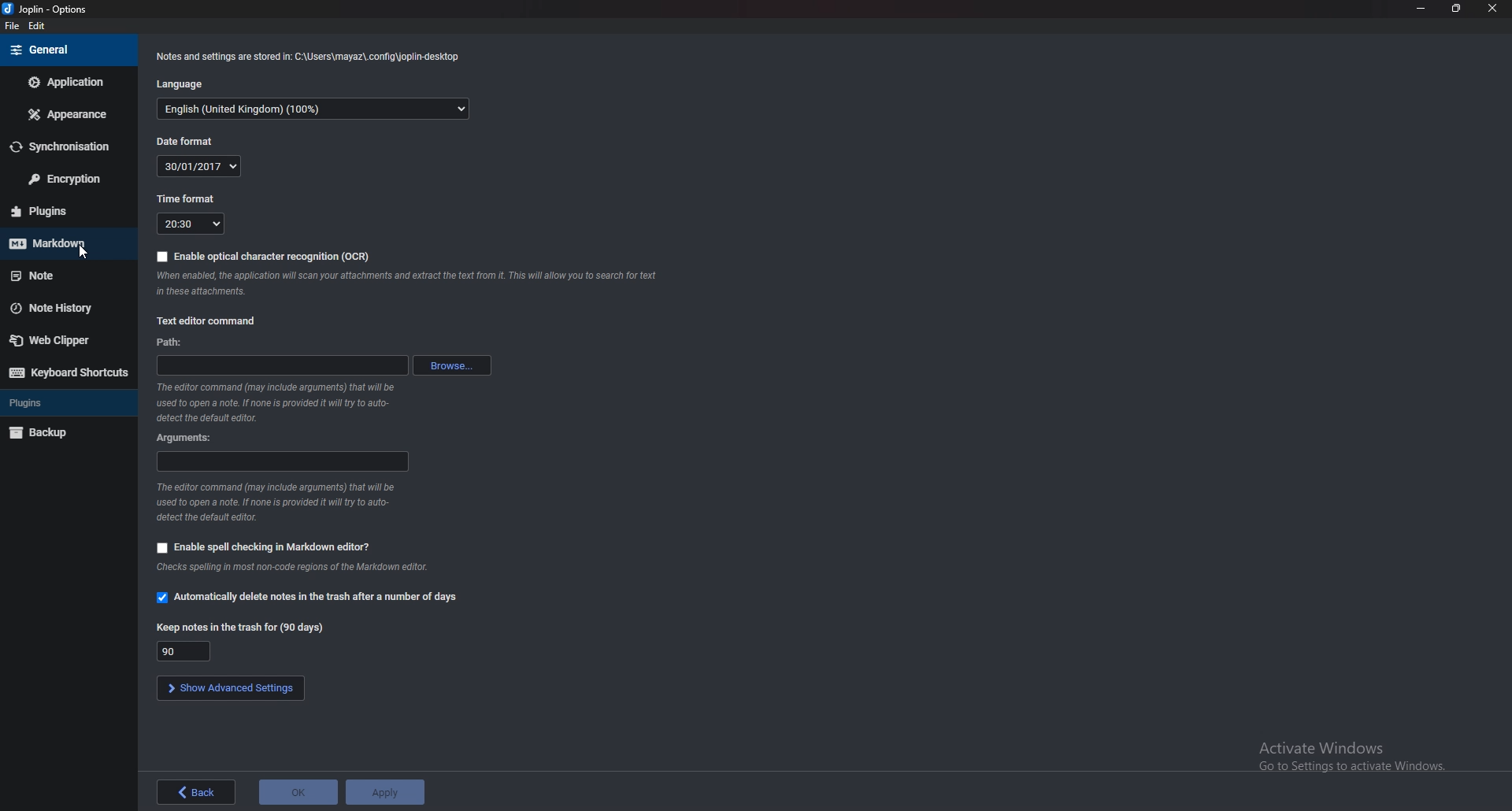 The height and width of the screenshot is (811, 1512). I want to click on note history, so click(66, 308).